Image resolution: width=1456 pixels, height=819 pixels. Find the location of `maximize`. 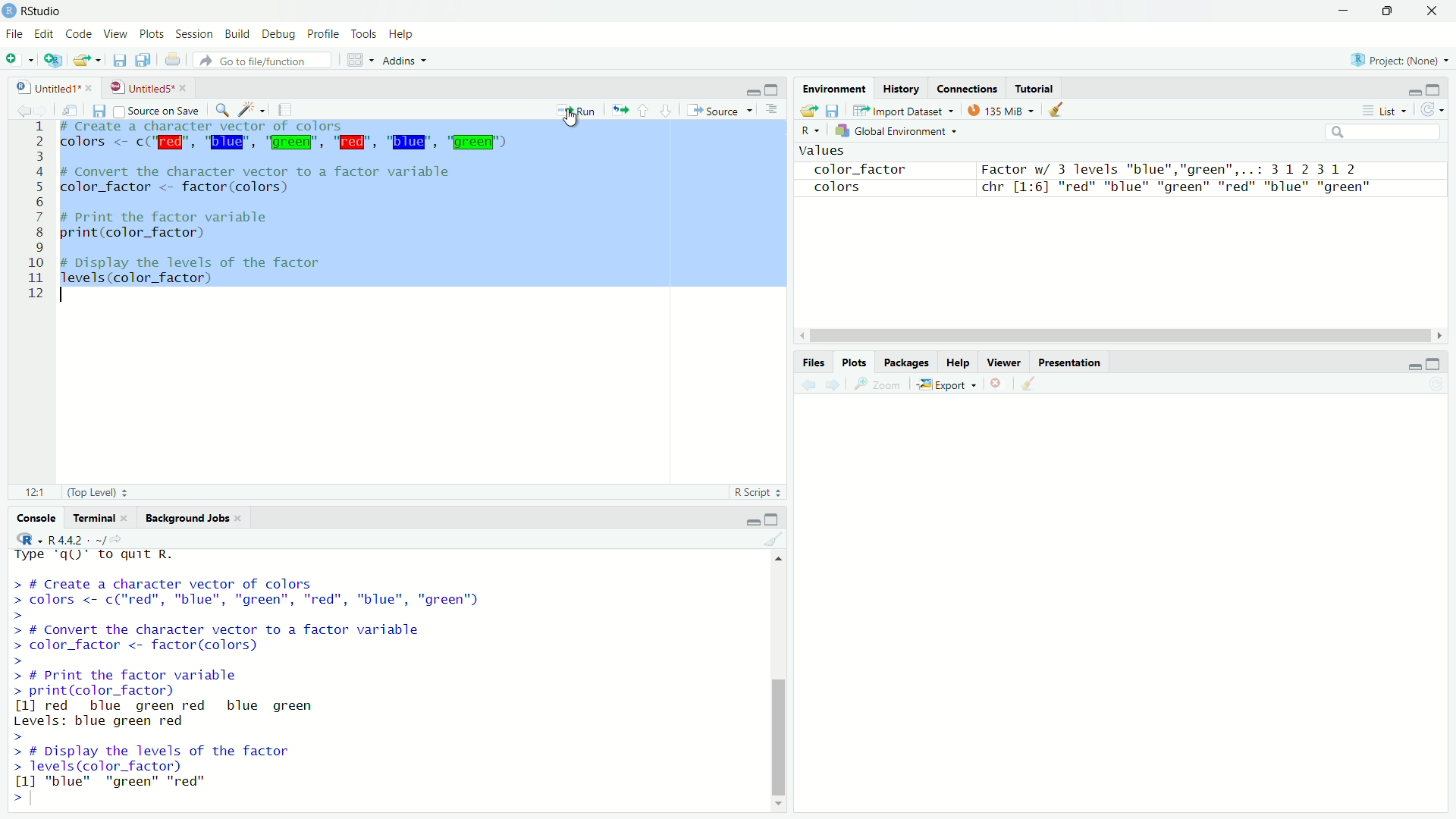

maximize is located at coordinates (1439, 88).